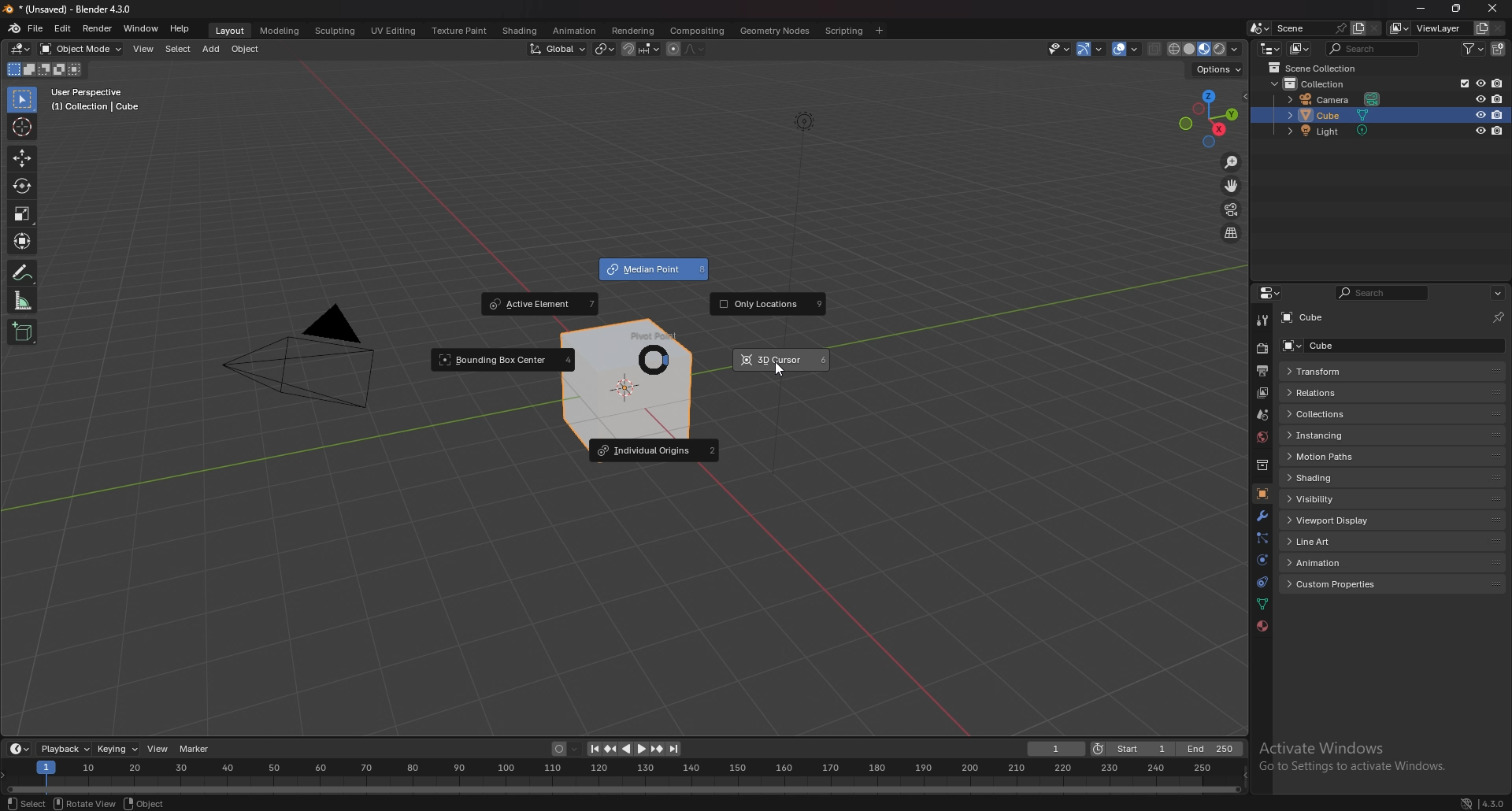  I want to click on data, so click(1262, 605).